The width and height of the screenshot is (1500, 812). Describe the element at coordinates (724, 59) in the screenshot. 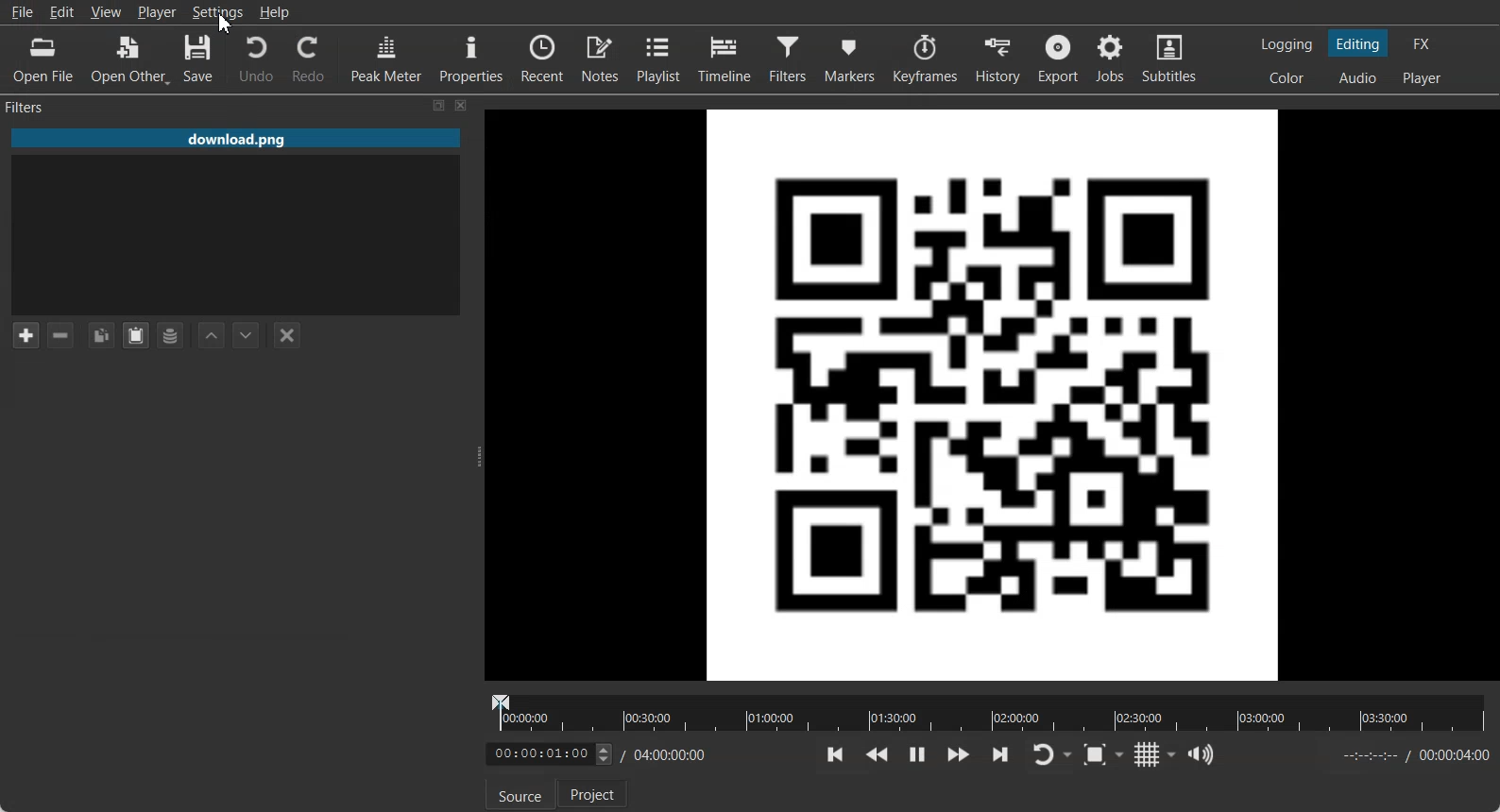

I see `Timeline` at that location.